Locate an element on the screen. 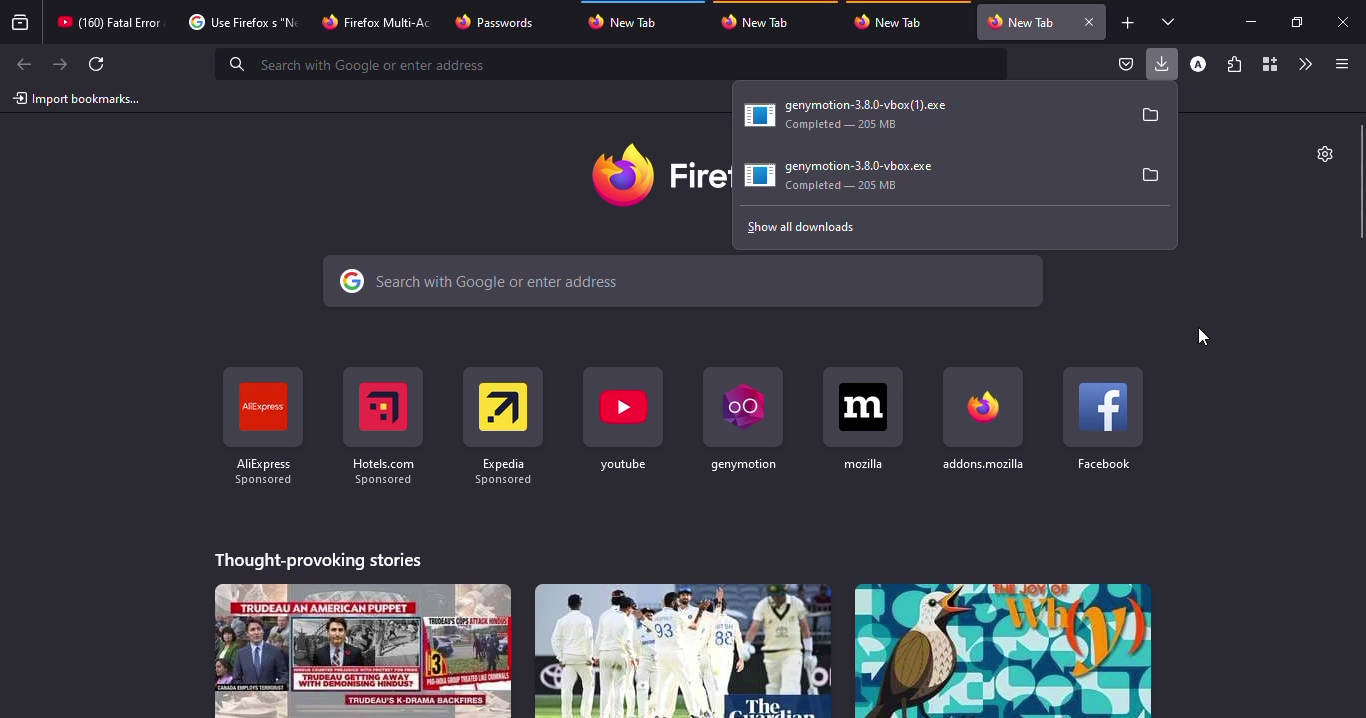 The image size is (1366, 718). shortcut is located at coordinates (1104, 418).